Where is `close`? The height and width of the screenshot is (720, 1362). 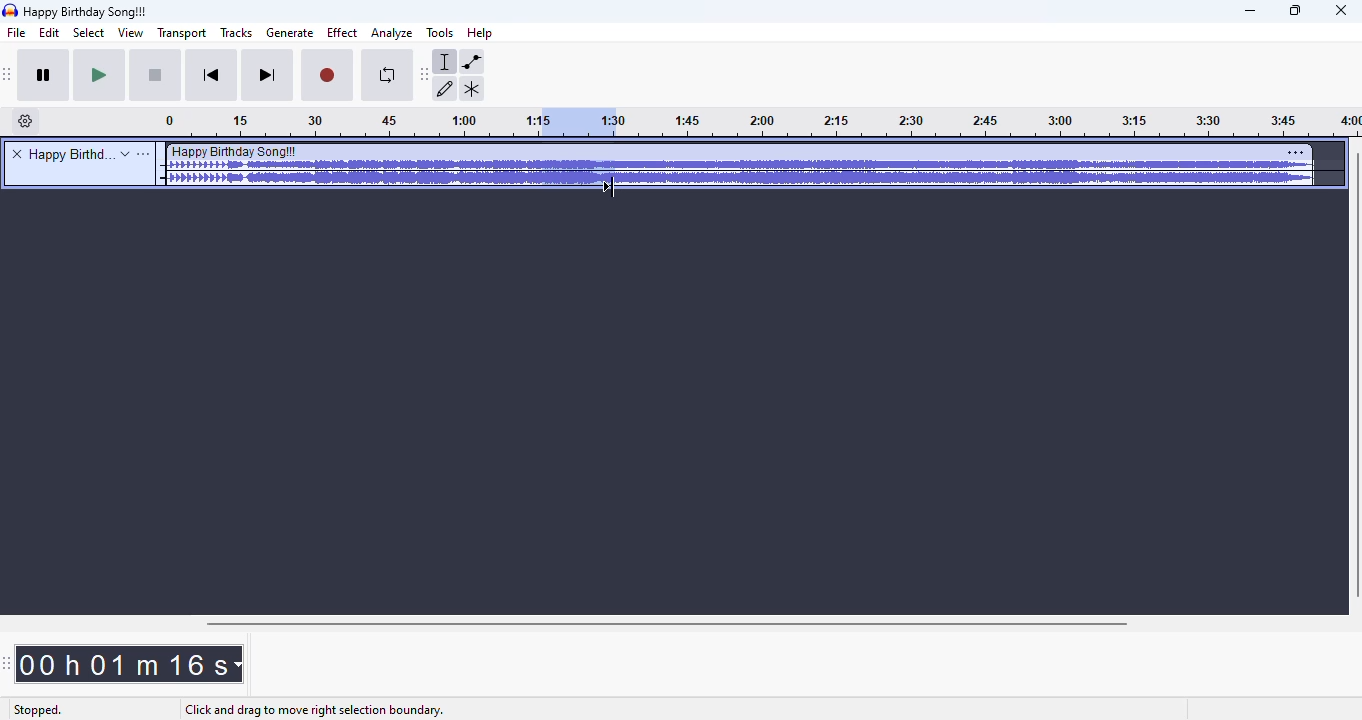 close is located at coordinates (1341, 11).